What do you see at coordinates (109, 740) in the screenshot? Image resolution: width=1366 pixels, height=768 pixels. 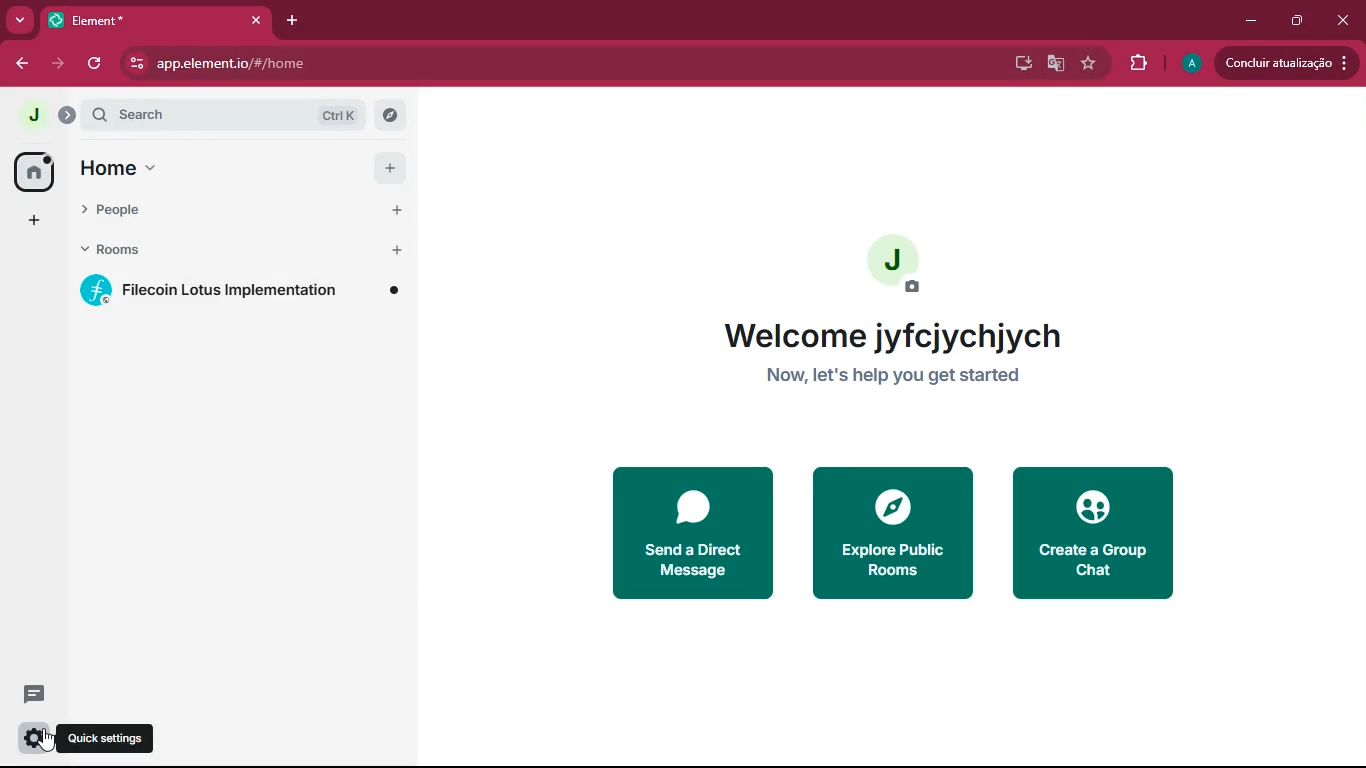 I see `Quick settings` at bounding box center [109, 740].